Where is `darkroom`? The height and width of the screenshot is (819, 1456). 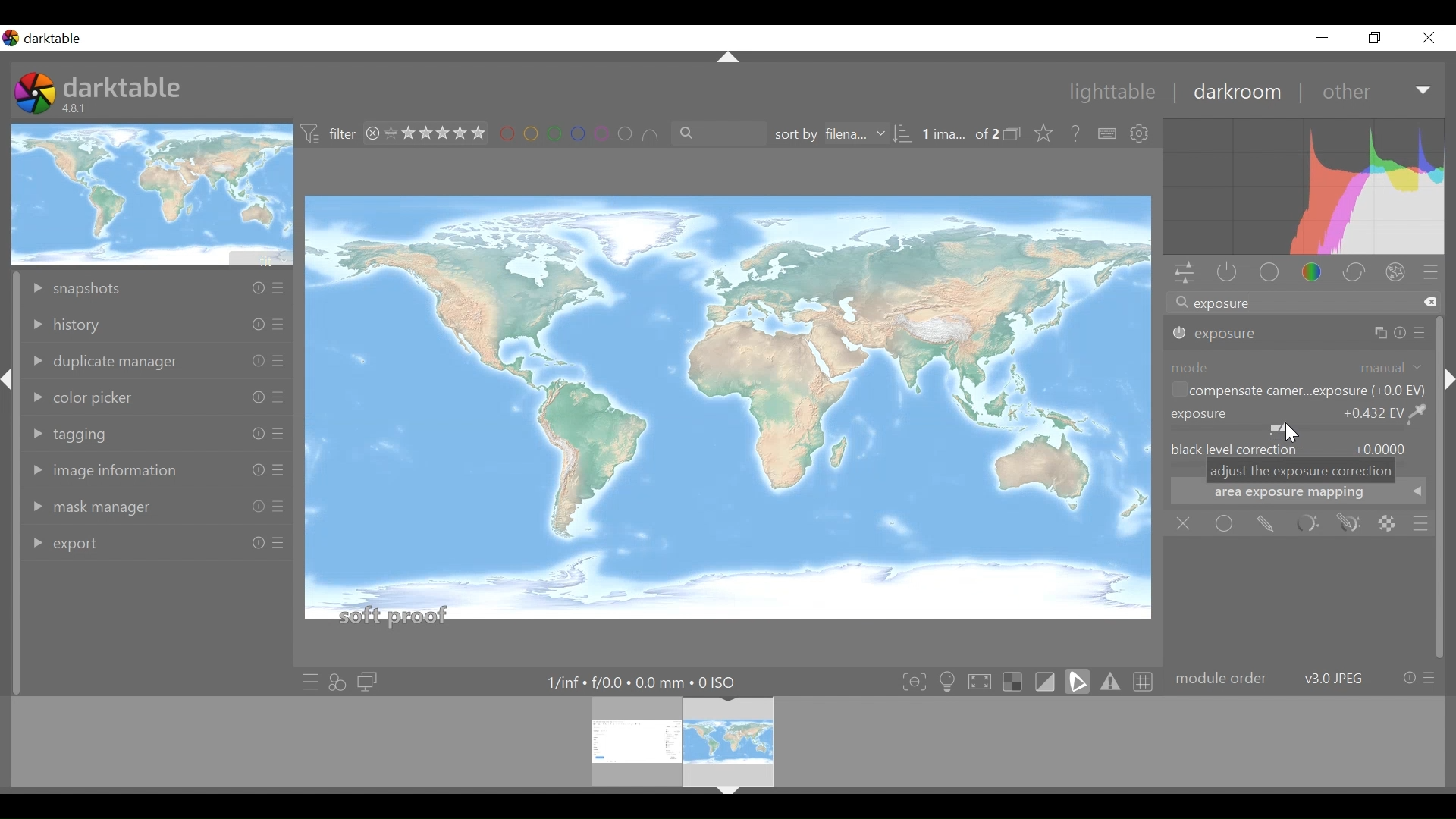
darkroom is located at coordinates (1236, 92).